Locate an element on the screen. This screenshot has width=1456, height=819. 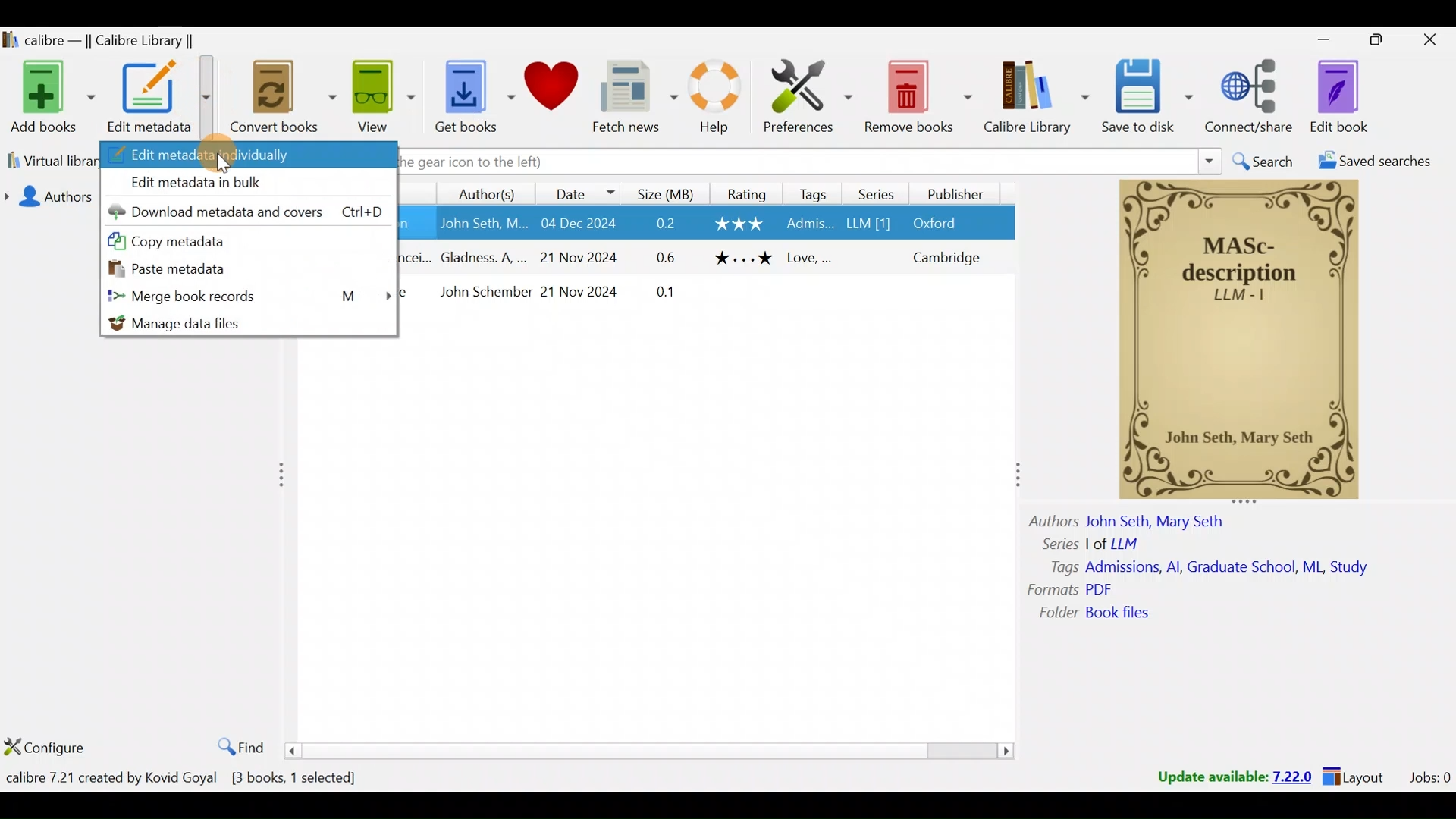
Minimise is located at coordinates (1325, 41).